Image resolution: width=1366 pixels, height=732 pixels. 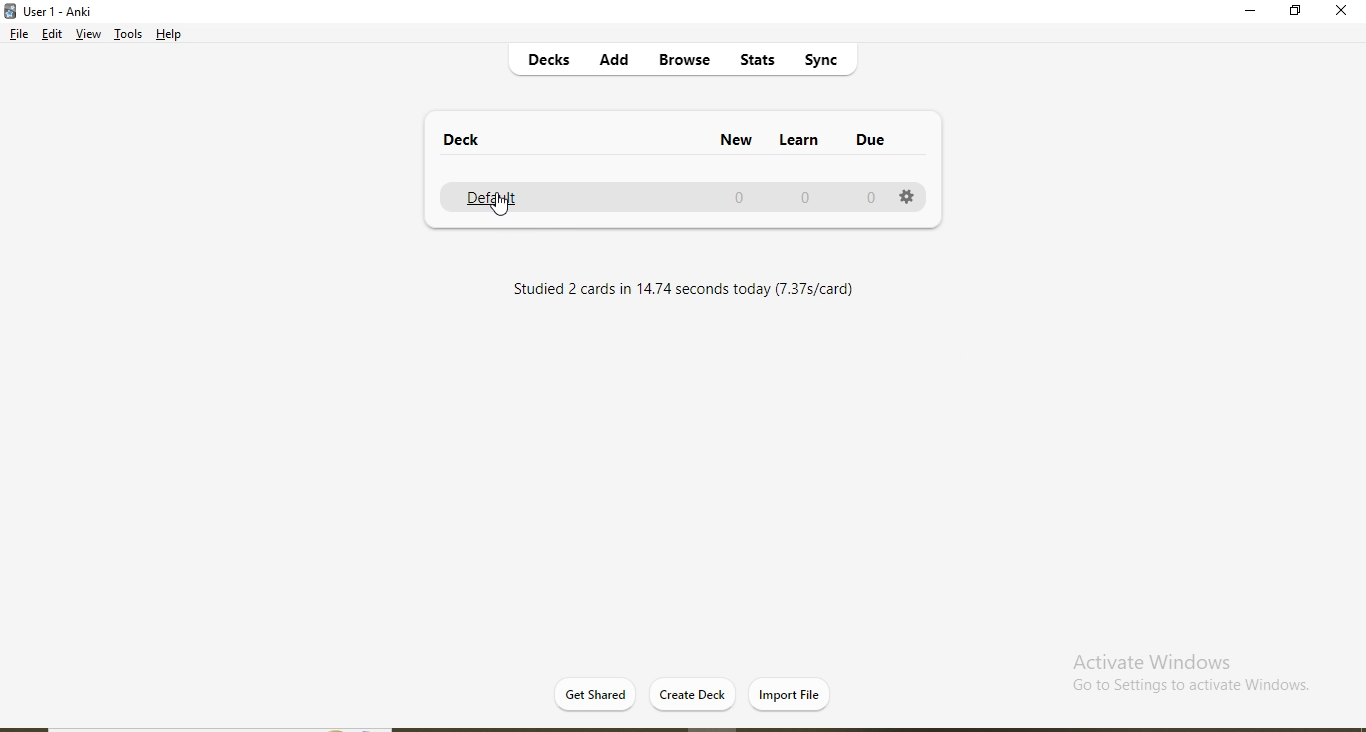 What do you see at coordinates (907, 200) in the screenshot?
I see `settings` at bounding box center [907, 200].